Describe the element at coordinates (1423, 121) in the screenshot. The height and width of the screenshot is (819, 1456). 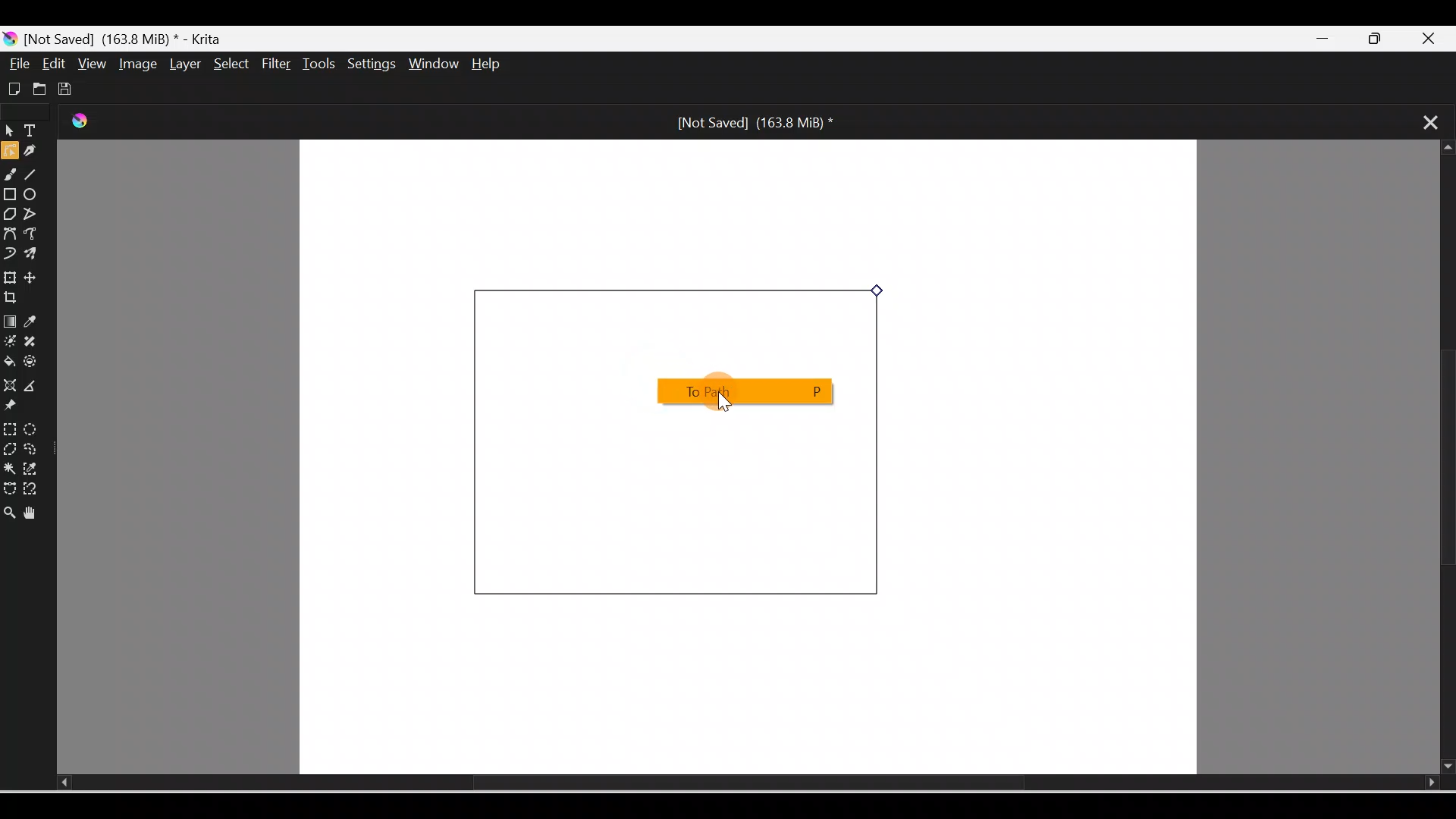
I see `Close tab` at that location.